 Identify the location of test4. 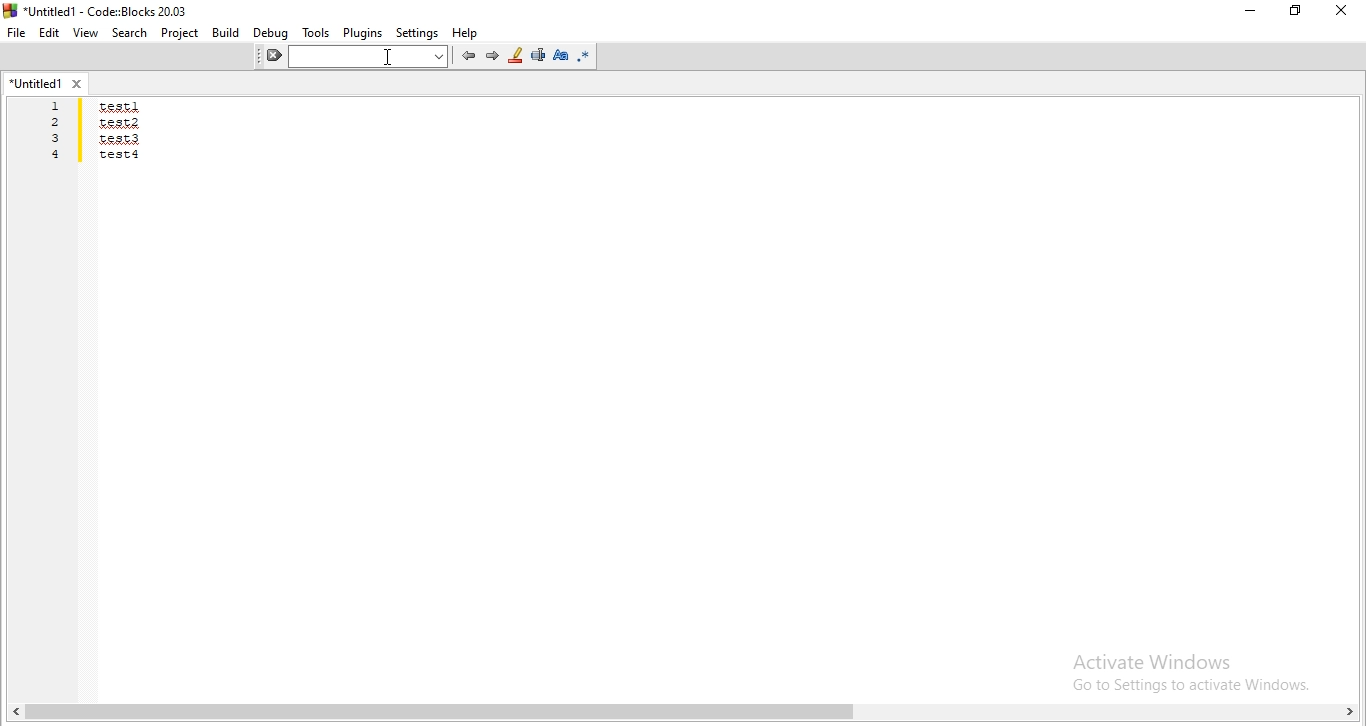
(120, 154).